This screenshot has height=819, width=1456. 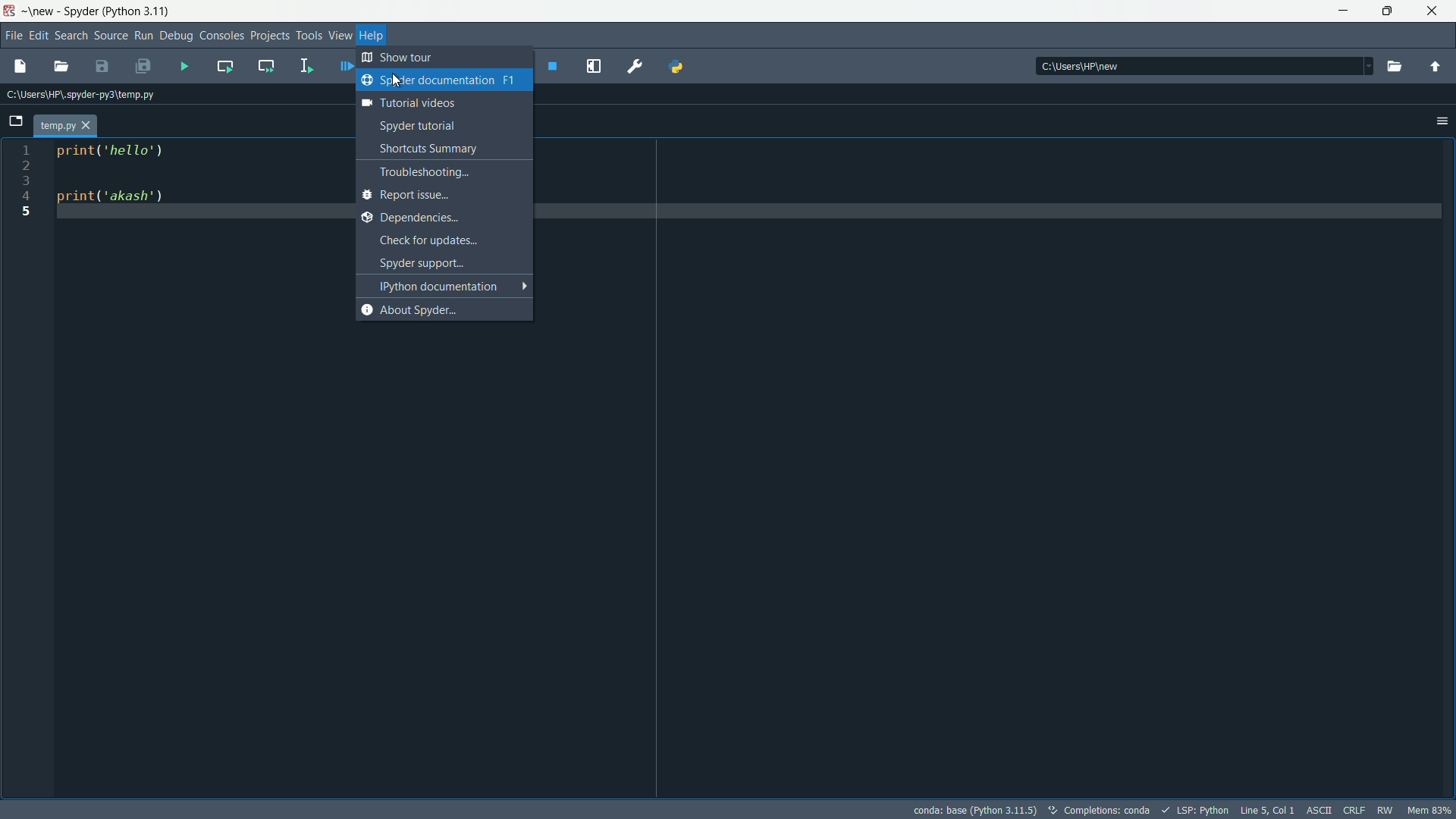 What do you see at coordinates (1200, 810) in the screenshot?
I see `LSP:Python` at bounding box center [1200, 810].